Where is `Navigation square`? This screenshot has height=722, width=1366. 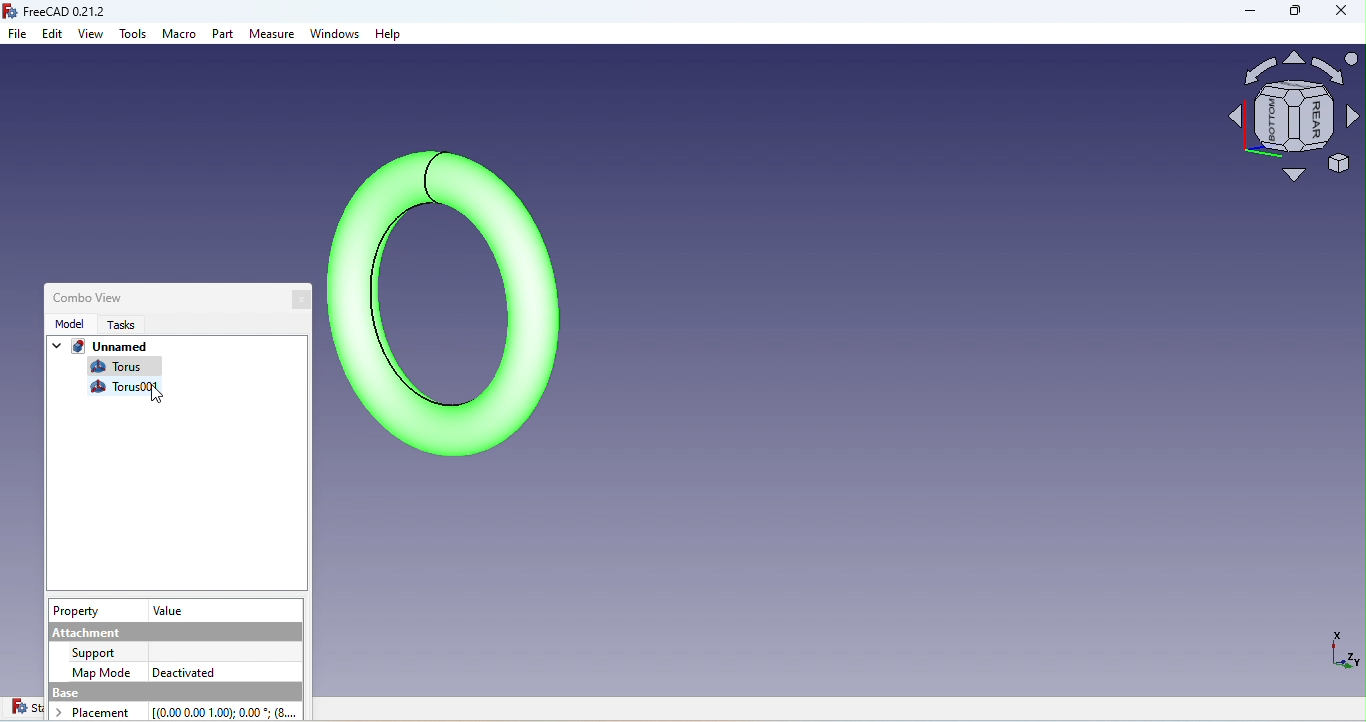 Navigation square is located at coordinates (1294, 122).